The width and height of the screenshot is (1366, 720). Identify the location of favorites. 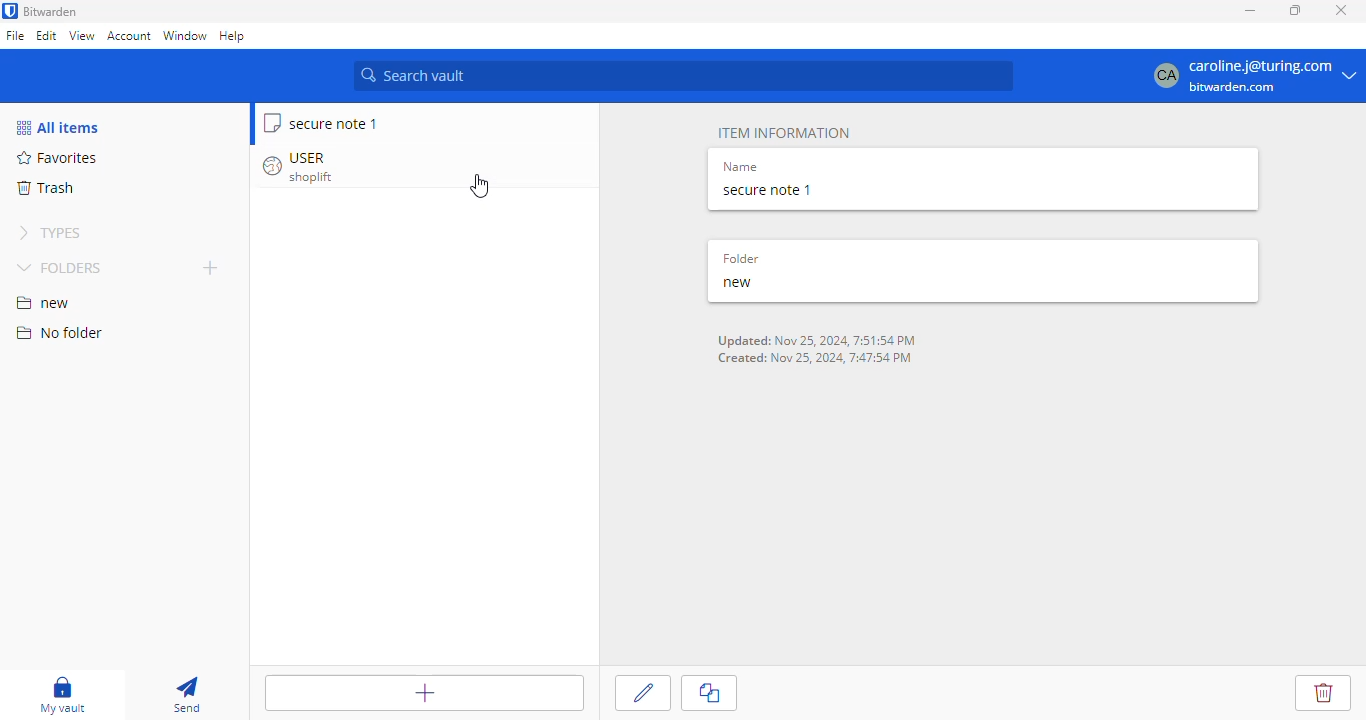
(55, 158).